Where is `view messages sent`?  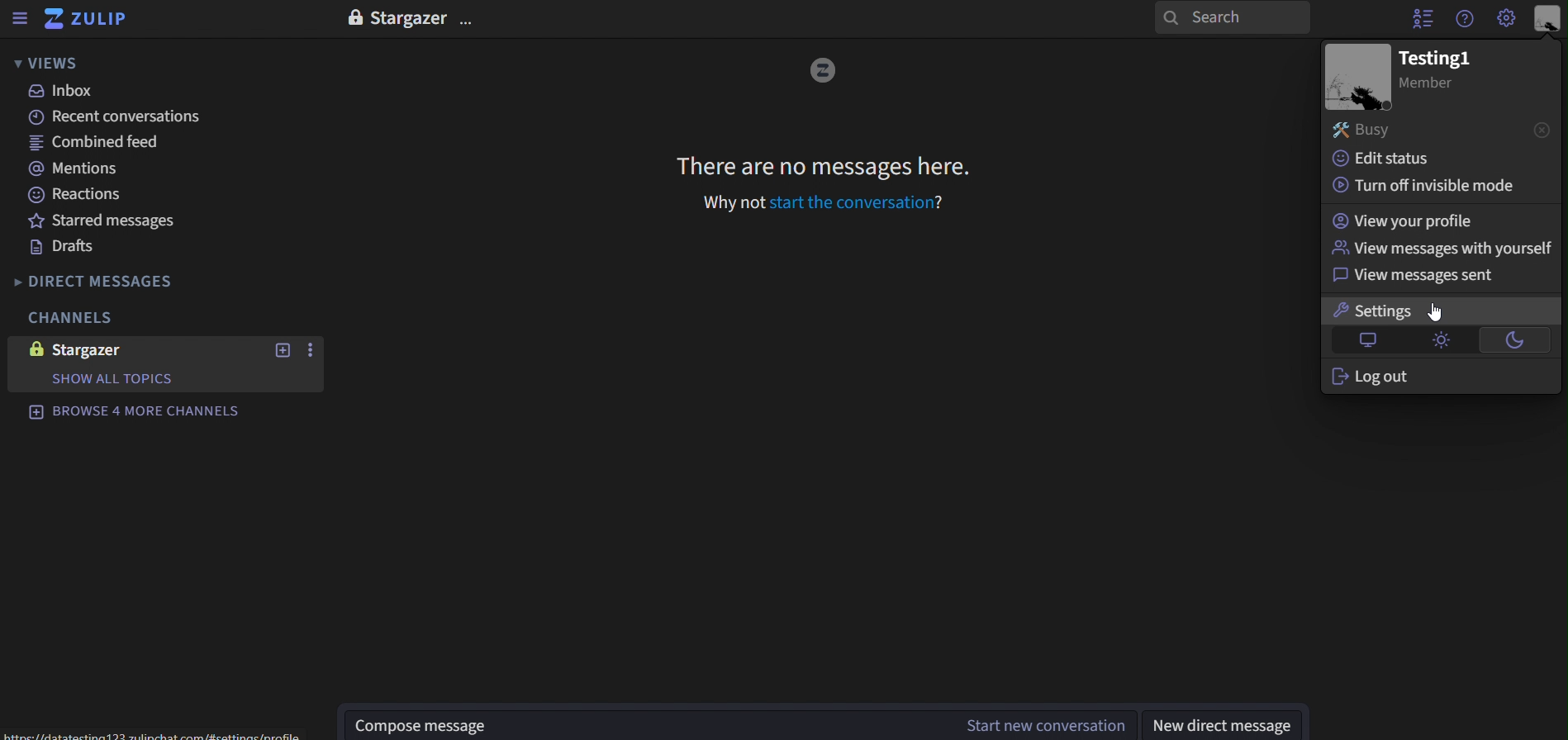 view messages sent is located at coordinates (1414, 277).